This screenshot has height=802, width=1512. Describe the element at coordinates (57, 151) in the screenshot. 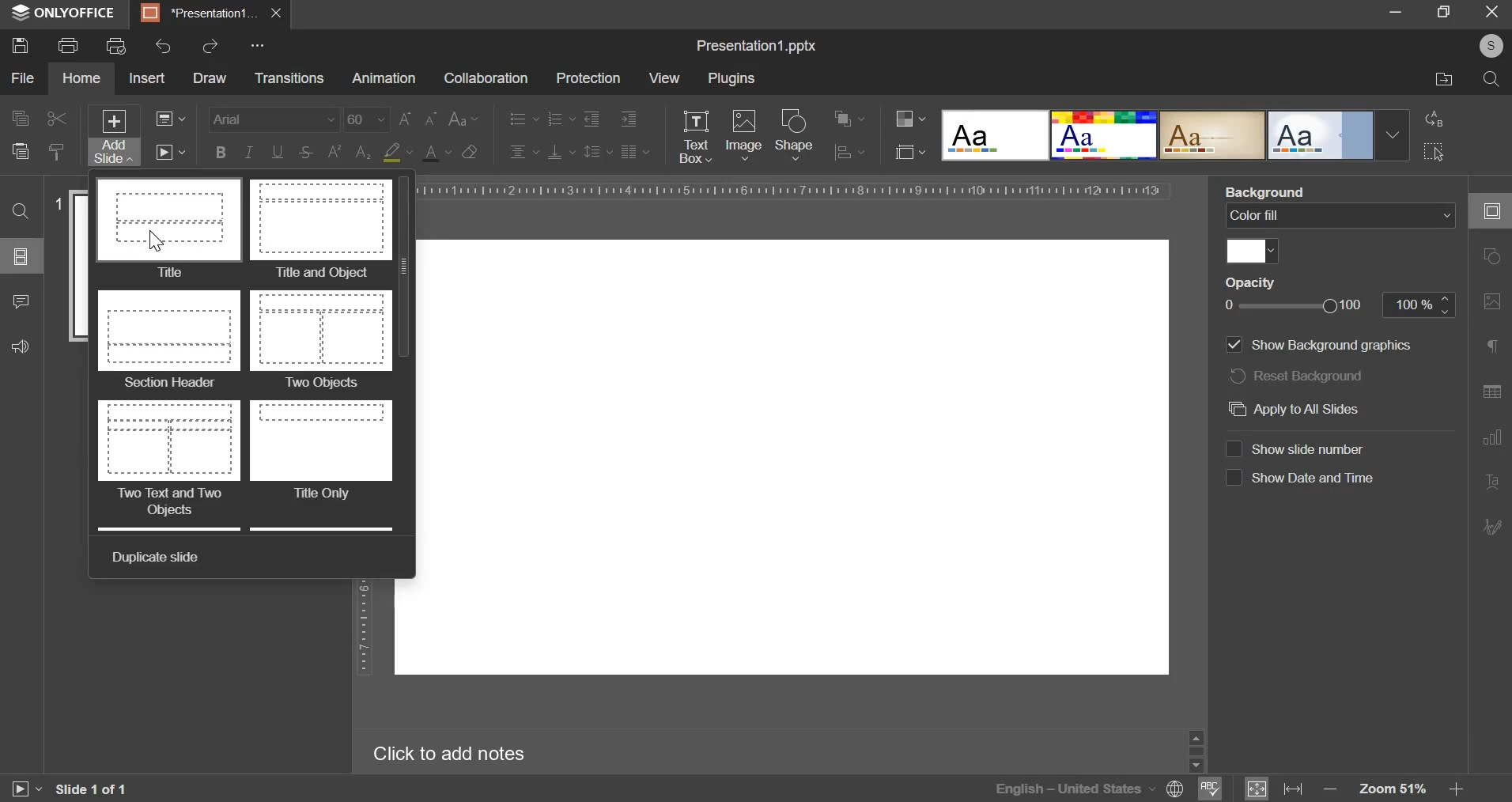

I see `clear style` at that location.